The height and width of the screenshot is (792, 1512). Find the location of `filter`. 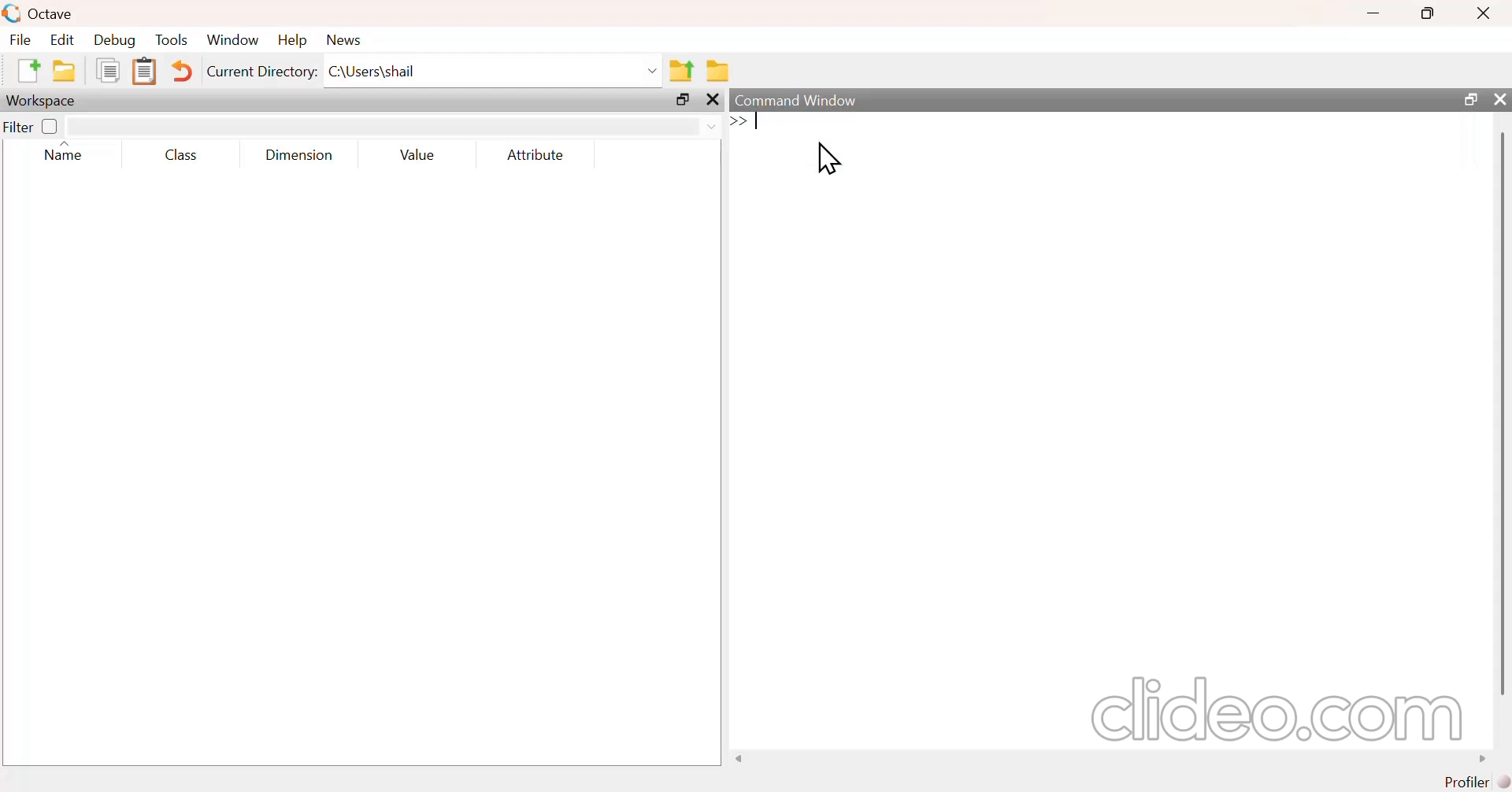

filter is located at coordinates (32, 126).